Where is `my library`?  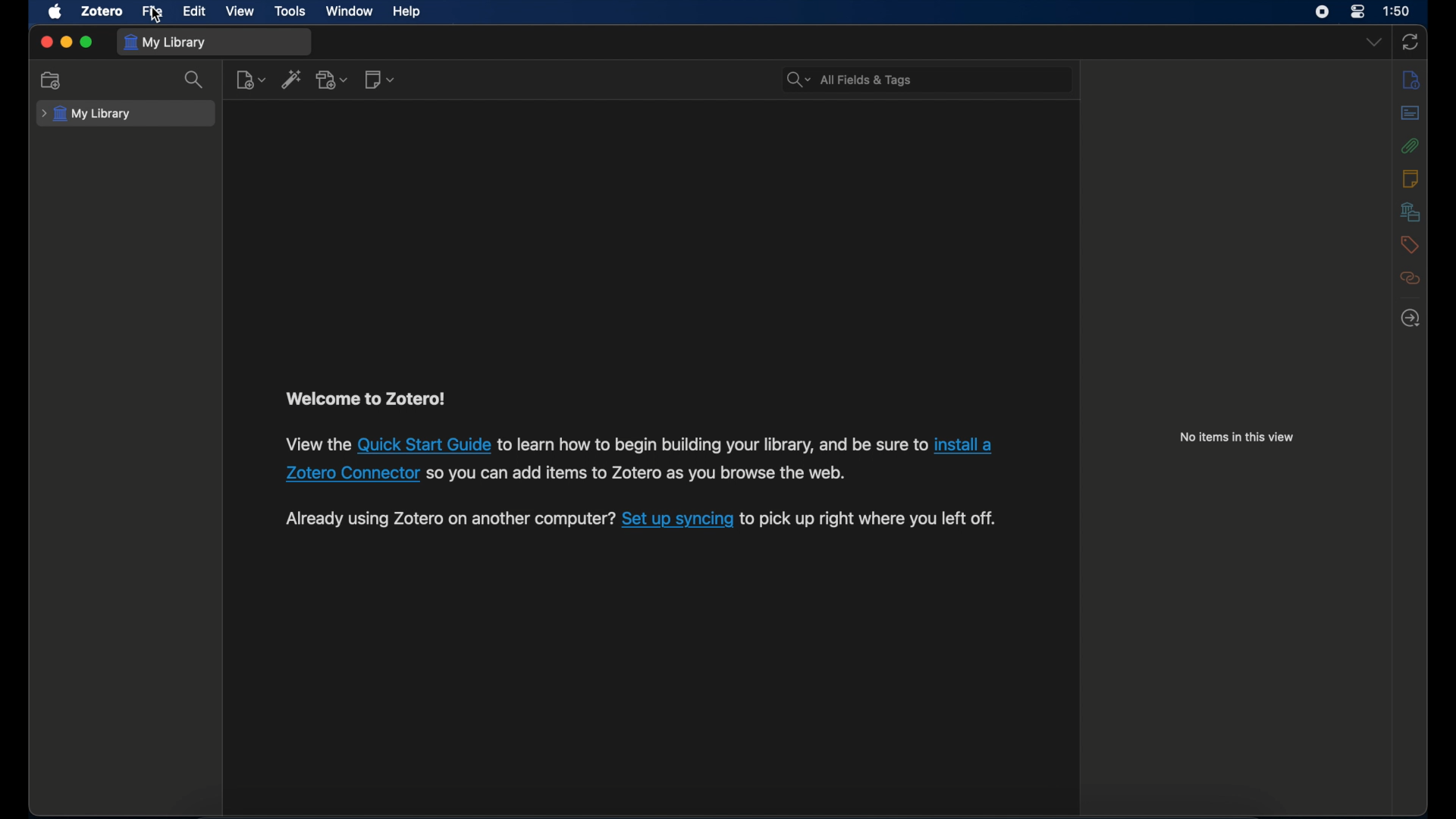 my library is located at coordinates (88, 115).